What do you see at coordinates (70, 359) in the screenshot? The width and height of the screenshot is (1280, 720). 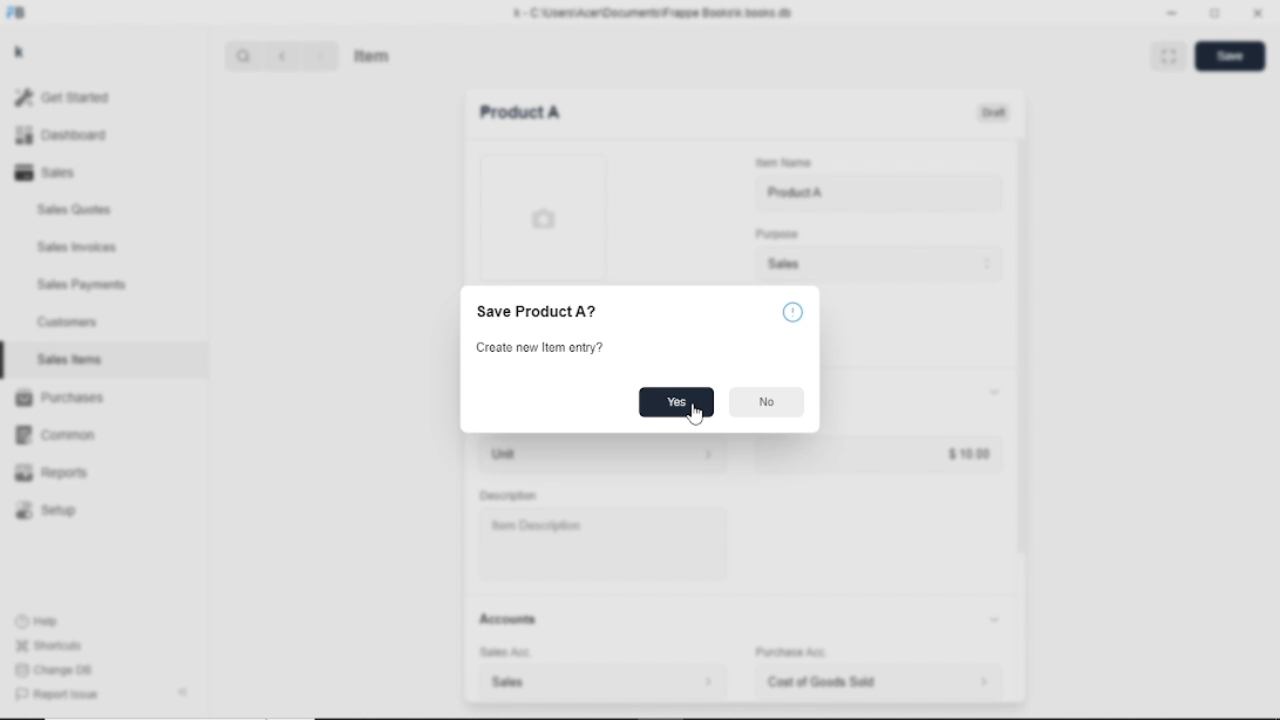 I see `Sales Items` at bounding box center [70, 359].